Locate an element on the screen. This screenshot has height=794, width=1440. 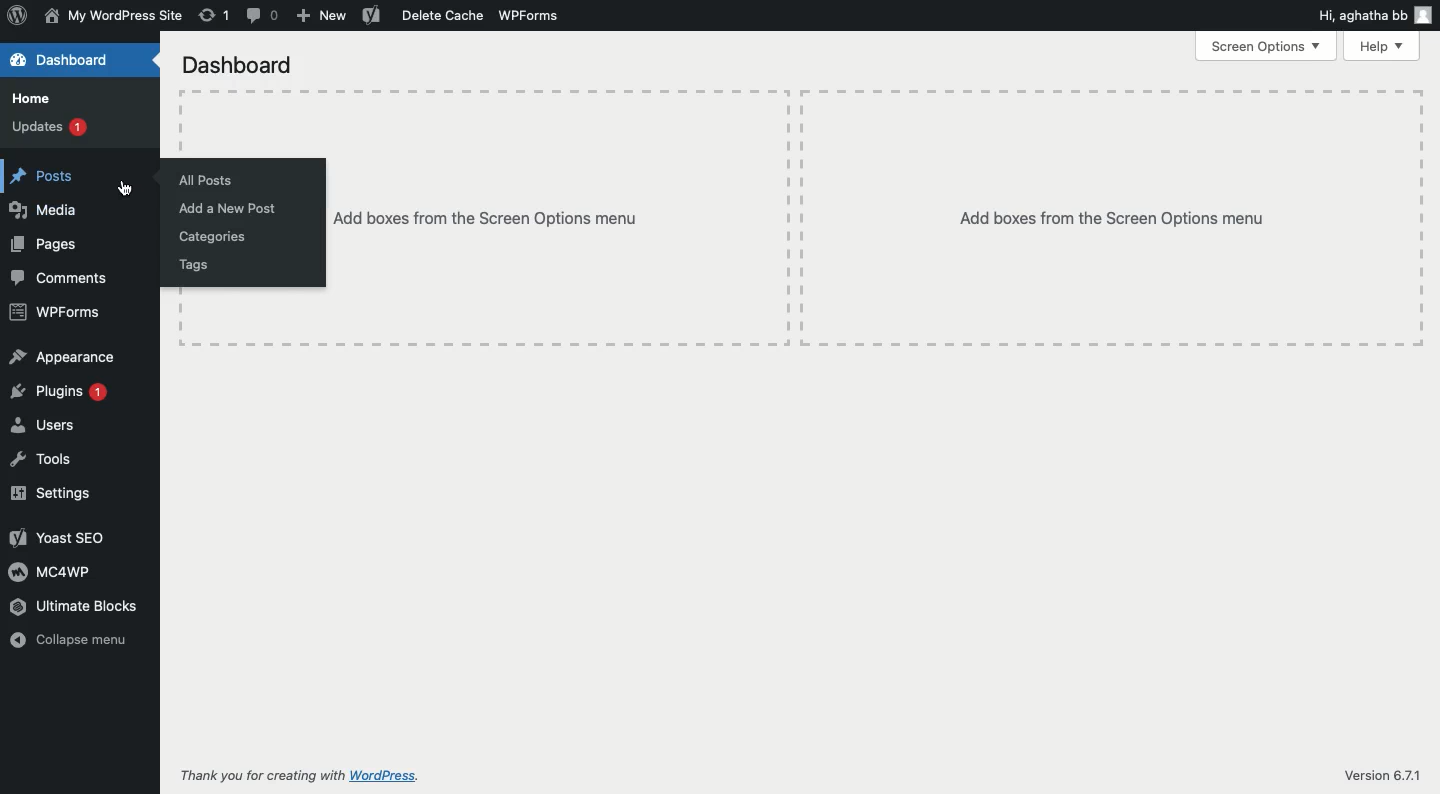
Home is located at coordinates (39, 97).